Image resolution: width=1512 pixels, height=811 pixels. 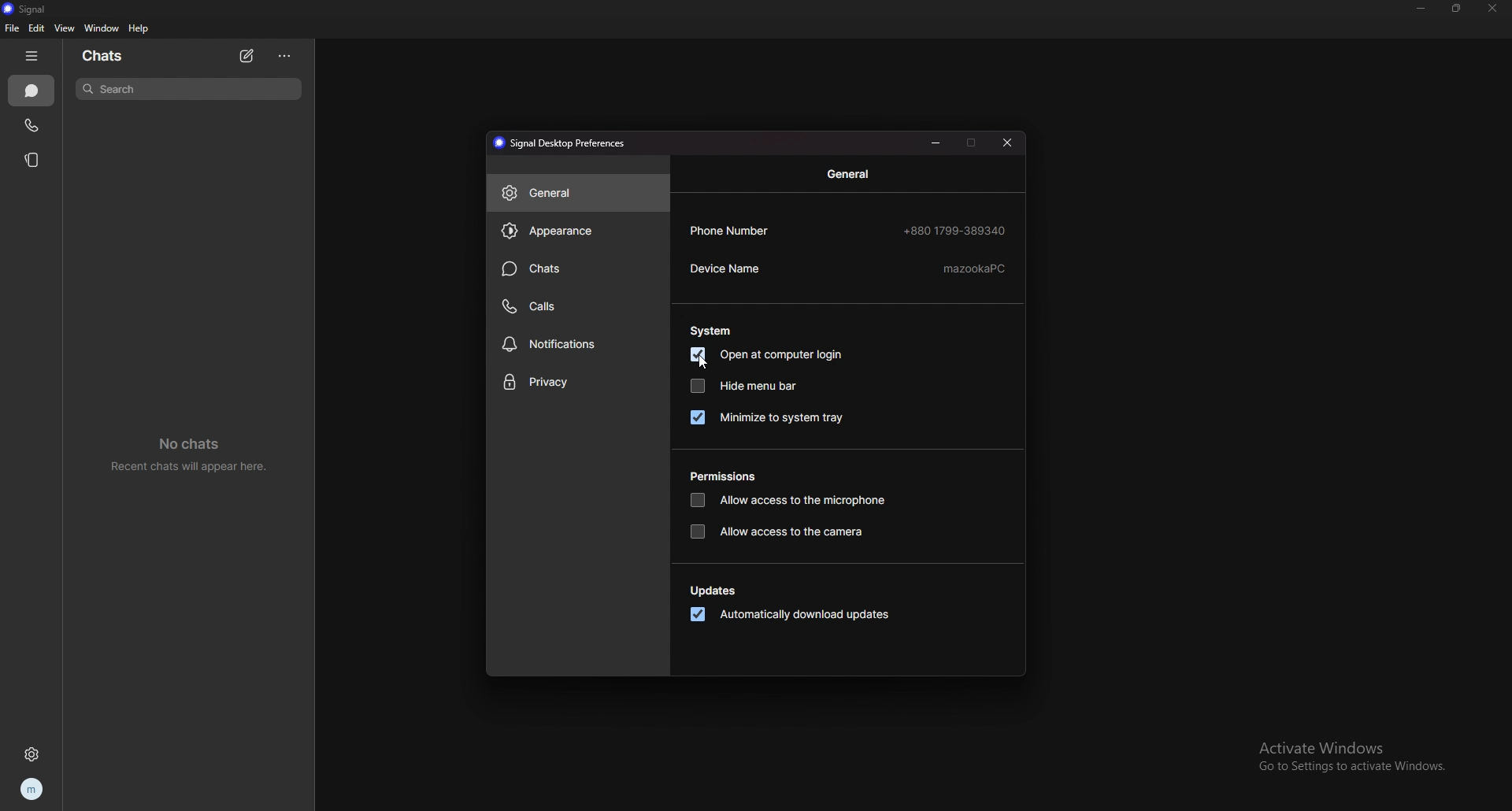 I want to click on file, so click(x=13, y=28).